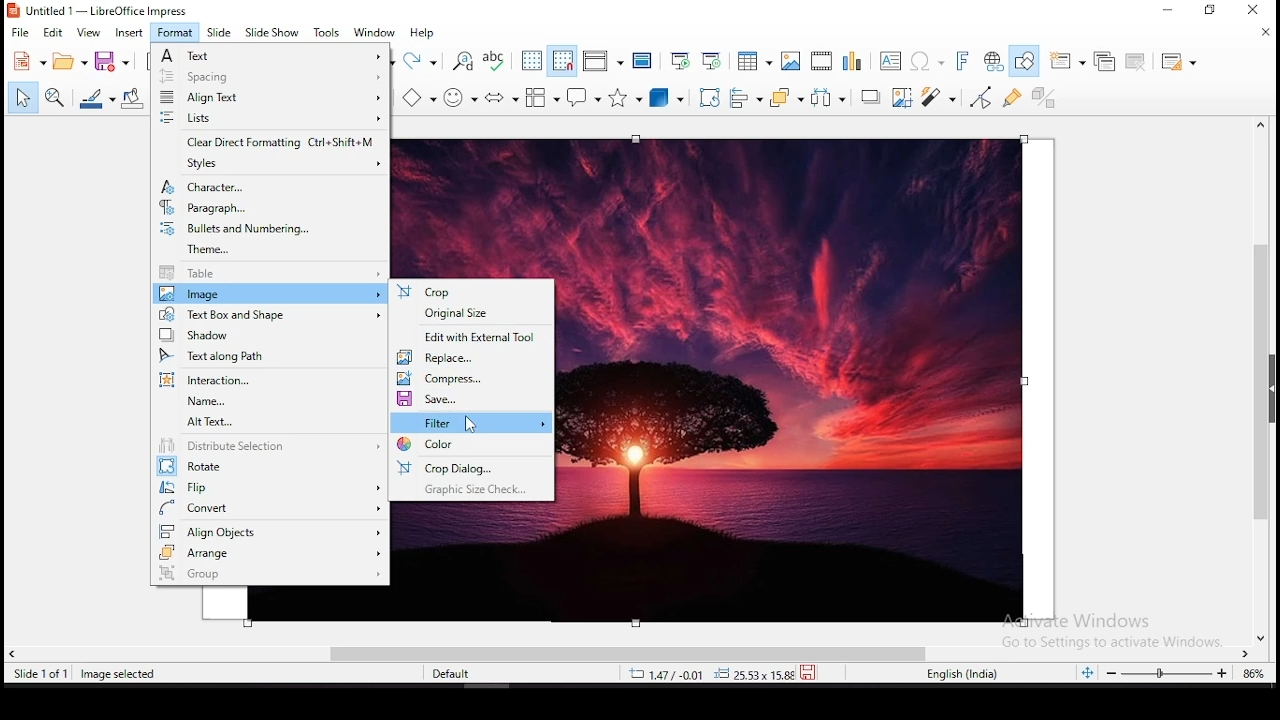 The width and height of the screenshot is (1280, 720). What do you see at coordinates (792, 62) in the screenshot?
I see `insert image` at bounding box center [792, 62].